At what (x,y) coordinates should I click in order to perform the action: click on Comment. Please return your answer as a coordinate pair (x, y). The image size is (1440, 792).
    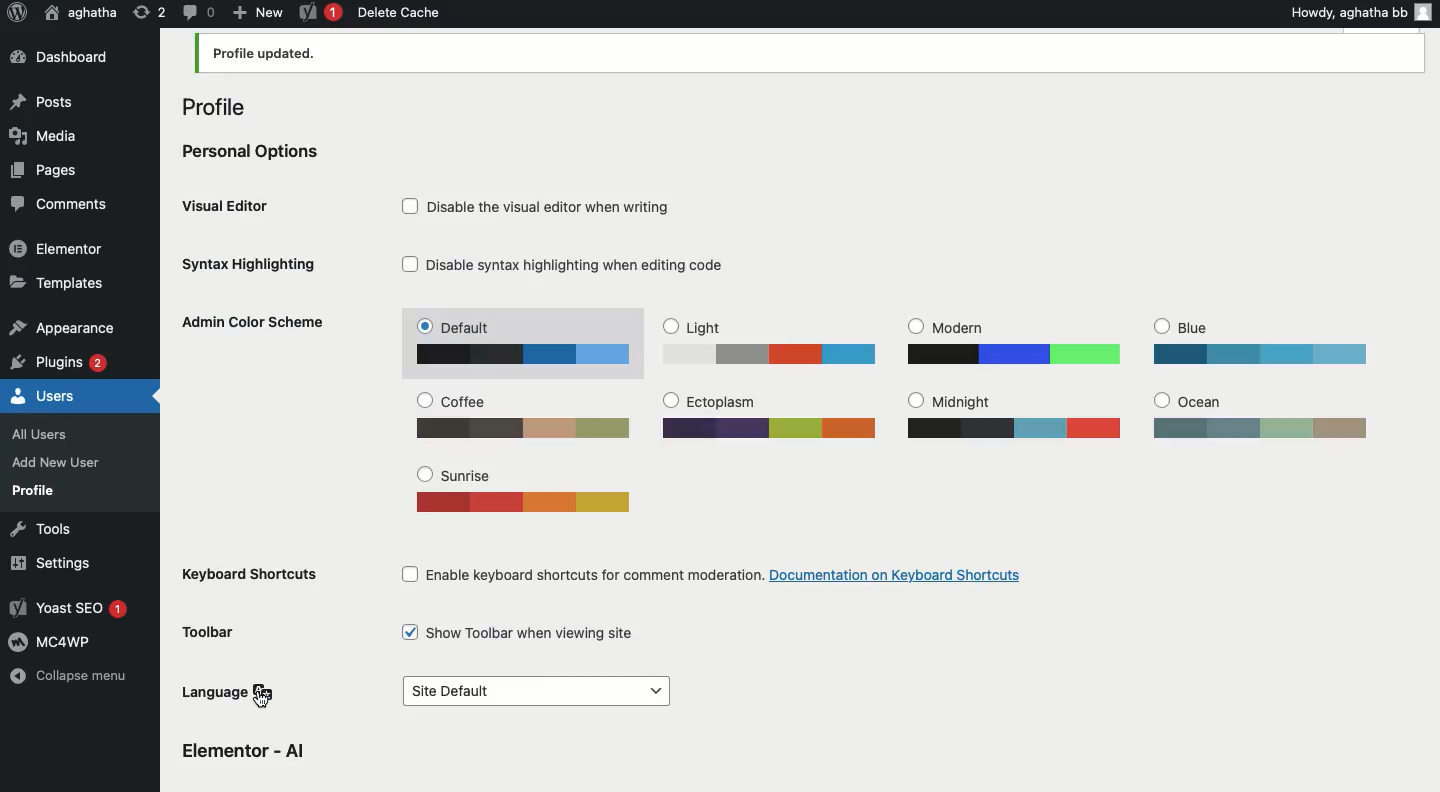
    Looking at the image, I should click on (197, 11).